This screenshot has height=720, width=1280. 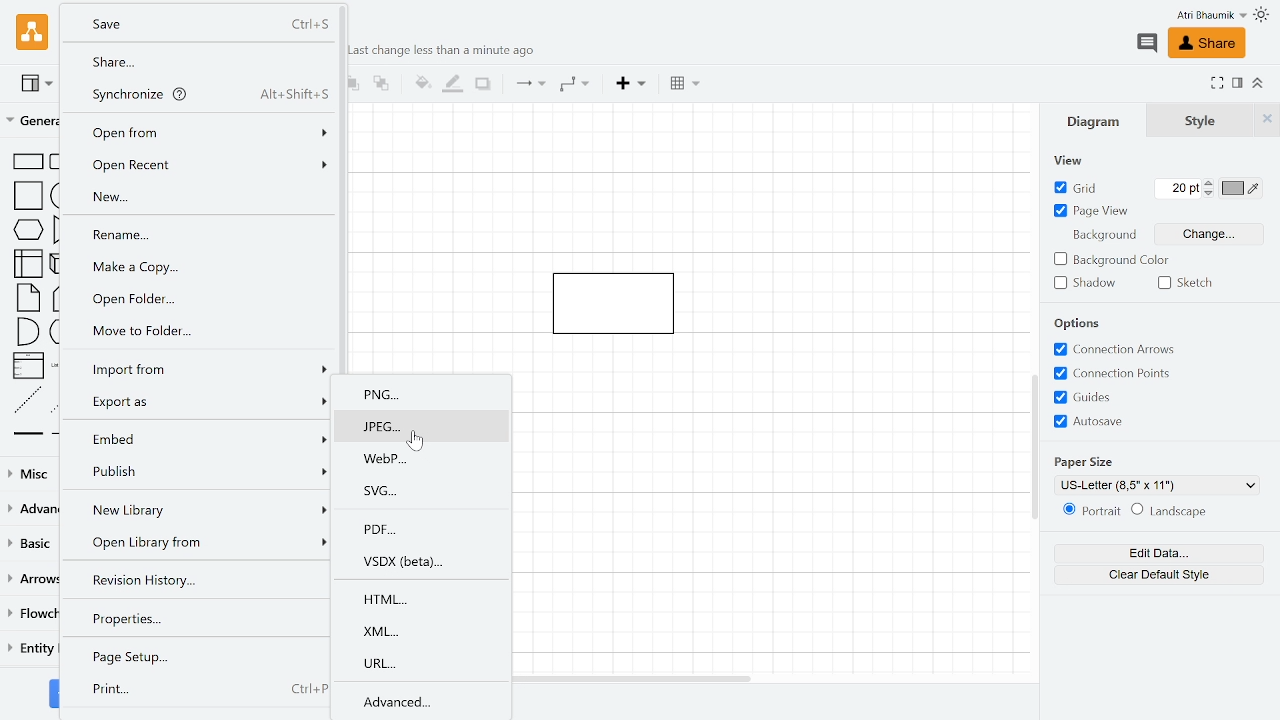 What do you see at coordinates (30, 579) in the screenshot?
I see `Arrows` at bounding box center [30, 579].